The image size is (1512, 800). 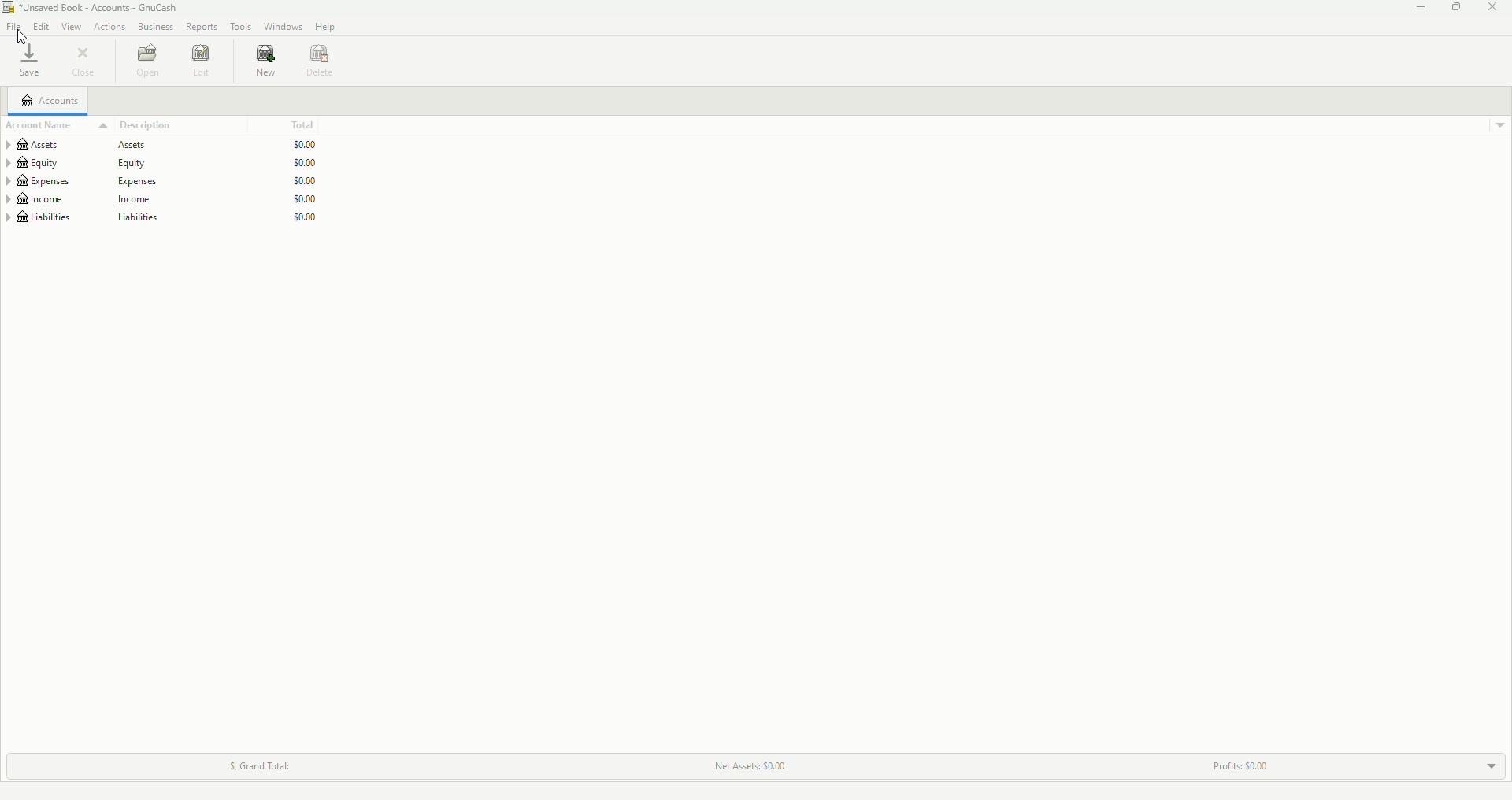 I want to click on Open, so click(x=146, y=61).